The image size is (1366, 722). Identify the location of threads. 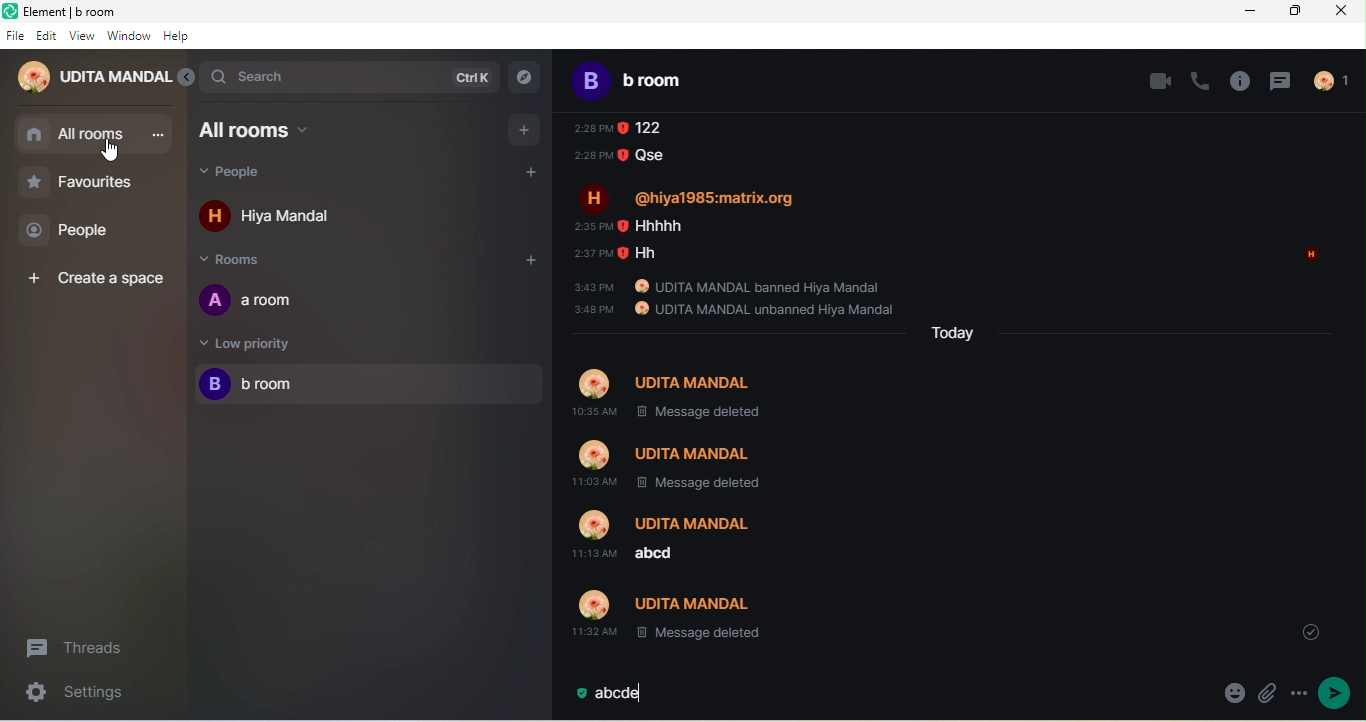
(83, 646).